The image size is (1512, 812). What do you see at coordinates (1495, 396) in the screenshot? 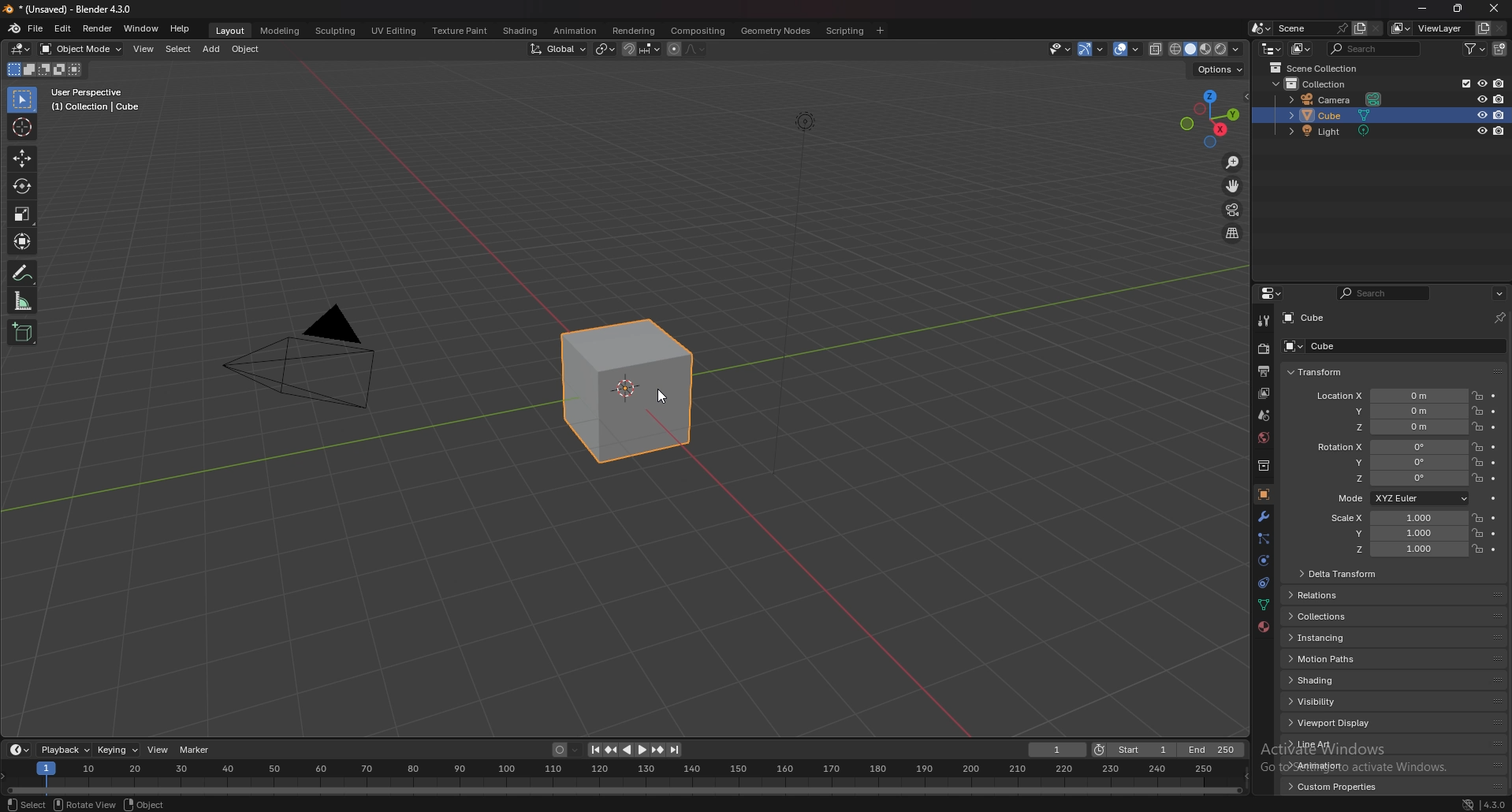
I see `animate property` at bounding box center [1495, 396].